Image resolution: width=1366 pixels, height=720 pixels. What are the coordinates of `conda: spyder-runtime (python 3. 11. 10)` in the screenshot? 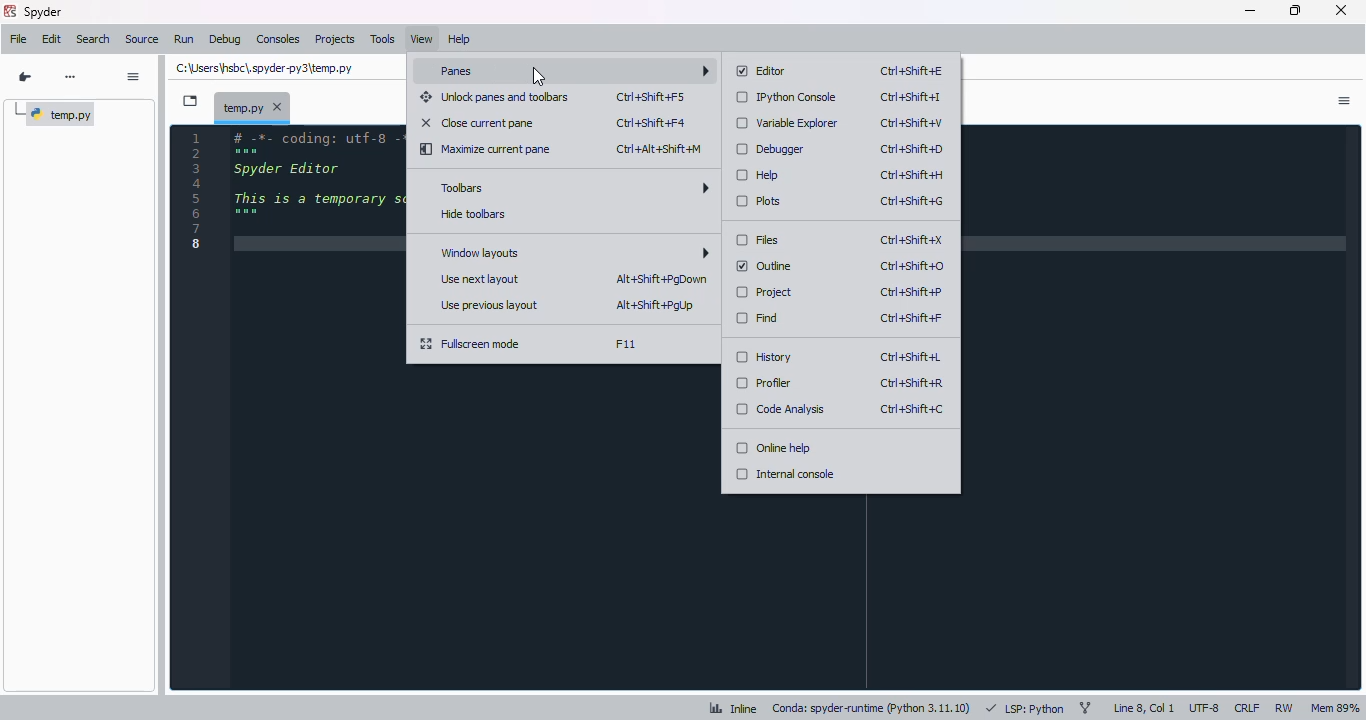 It's located at (871, 709).